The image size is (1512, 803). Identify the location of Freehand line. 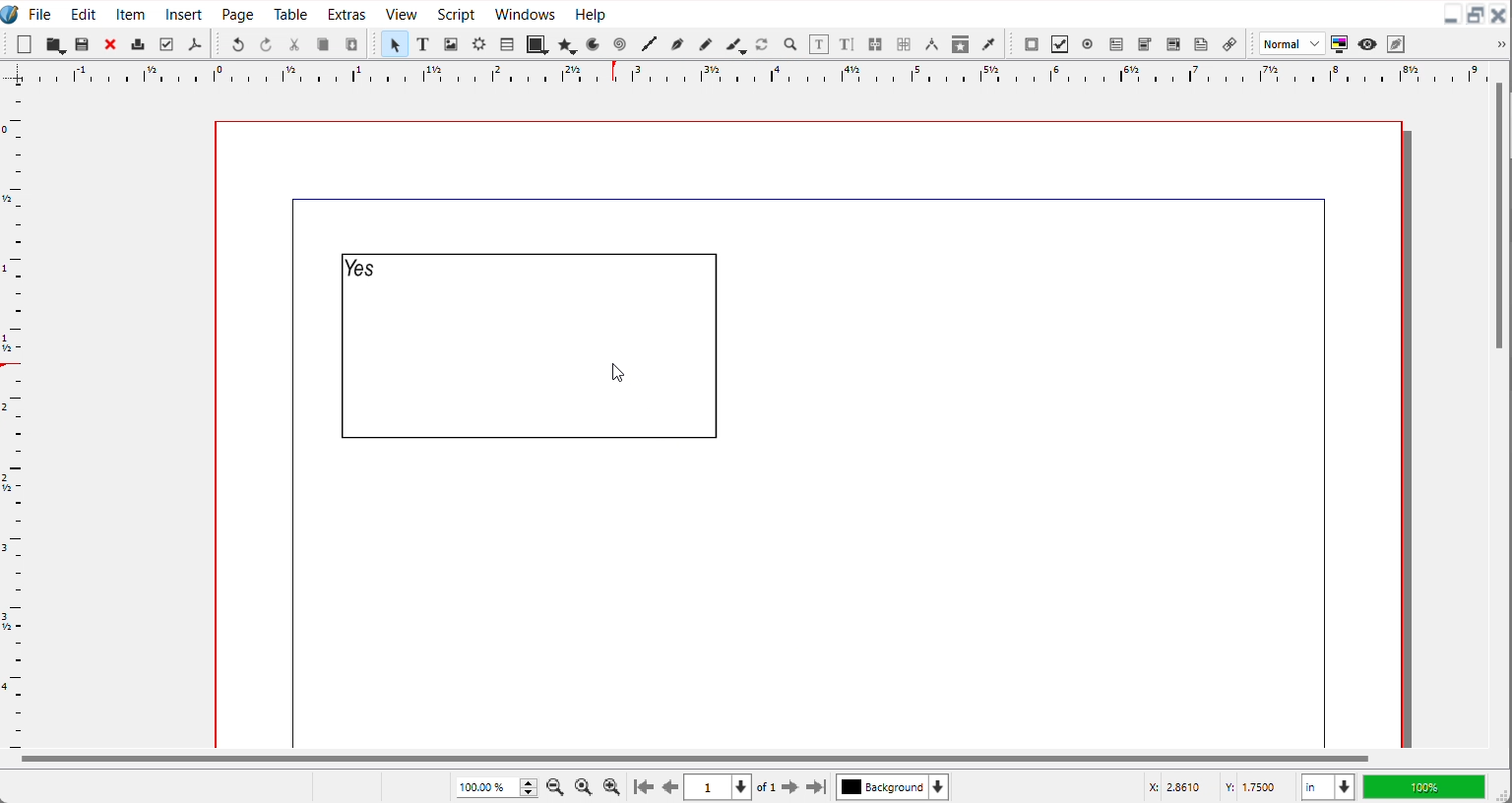
(704, 43).